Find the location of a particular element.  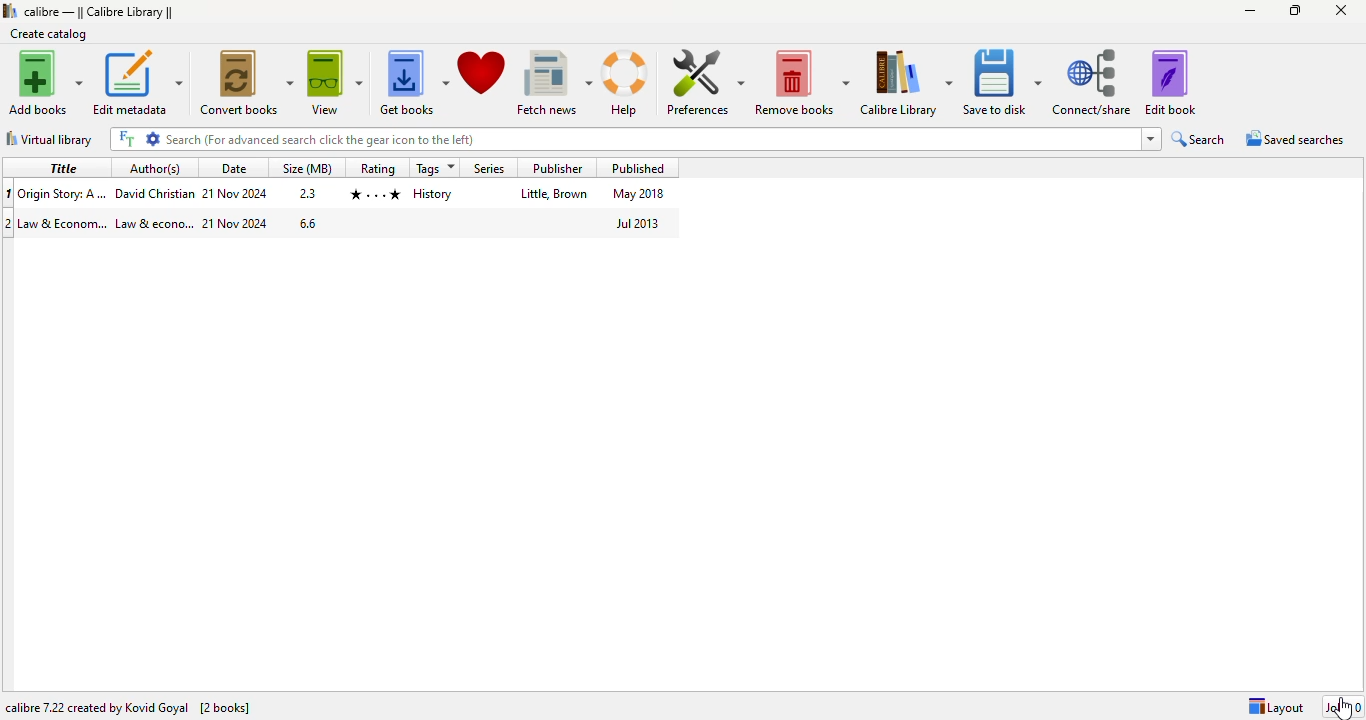

convert books is located at coordinates (246, 83).